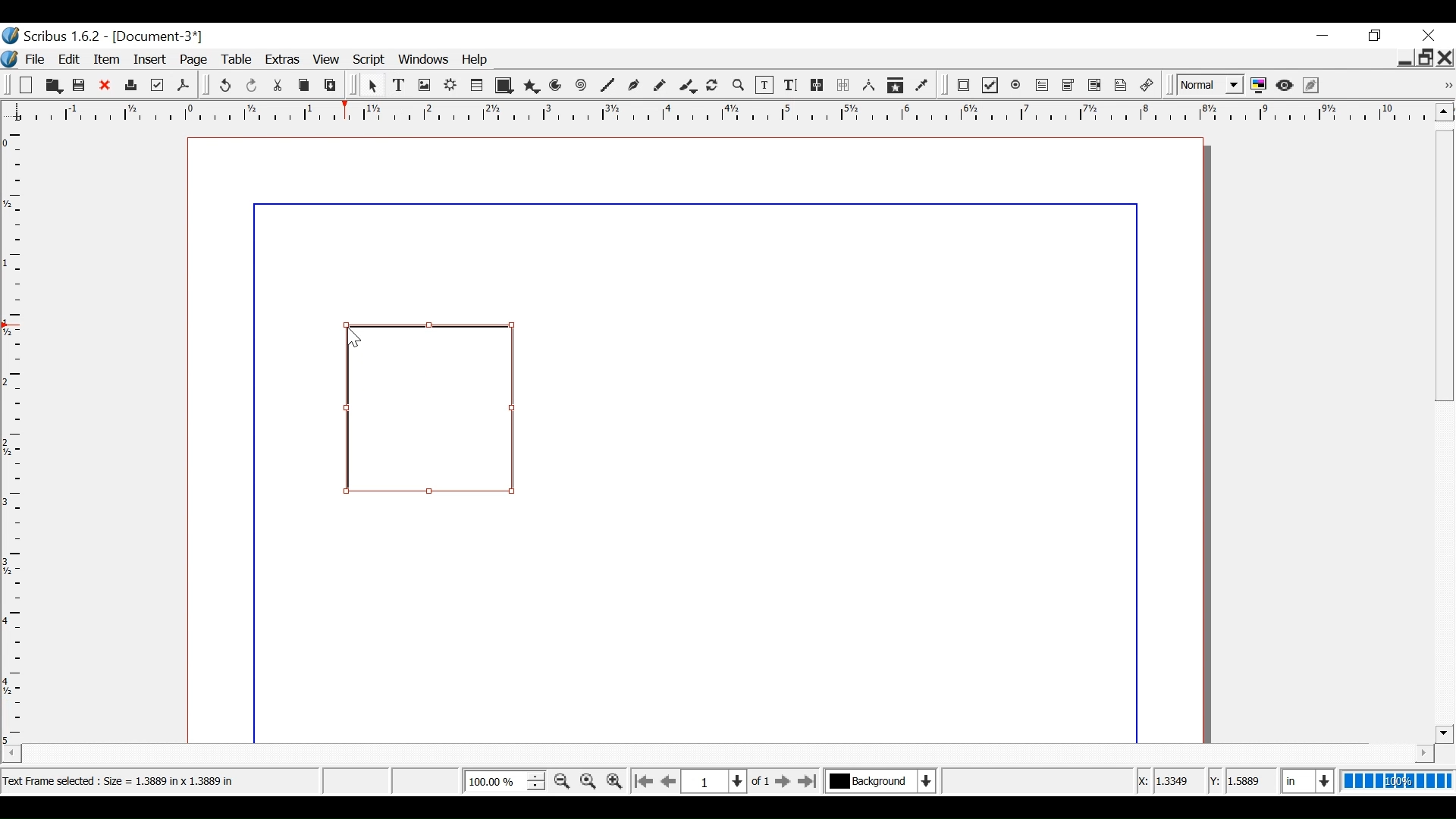  What do you see at coordinates (306, 83) in the screenshot?
I see `Copy ` at bounding box center [306, 83].